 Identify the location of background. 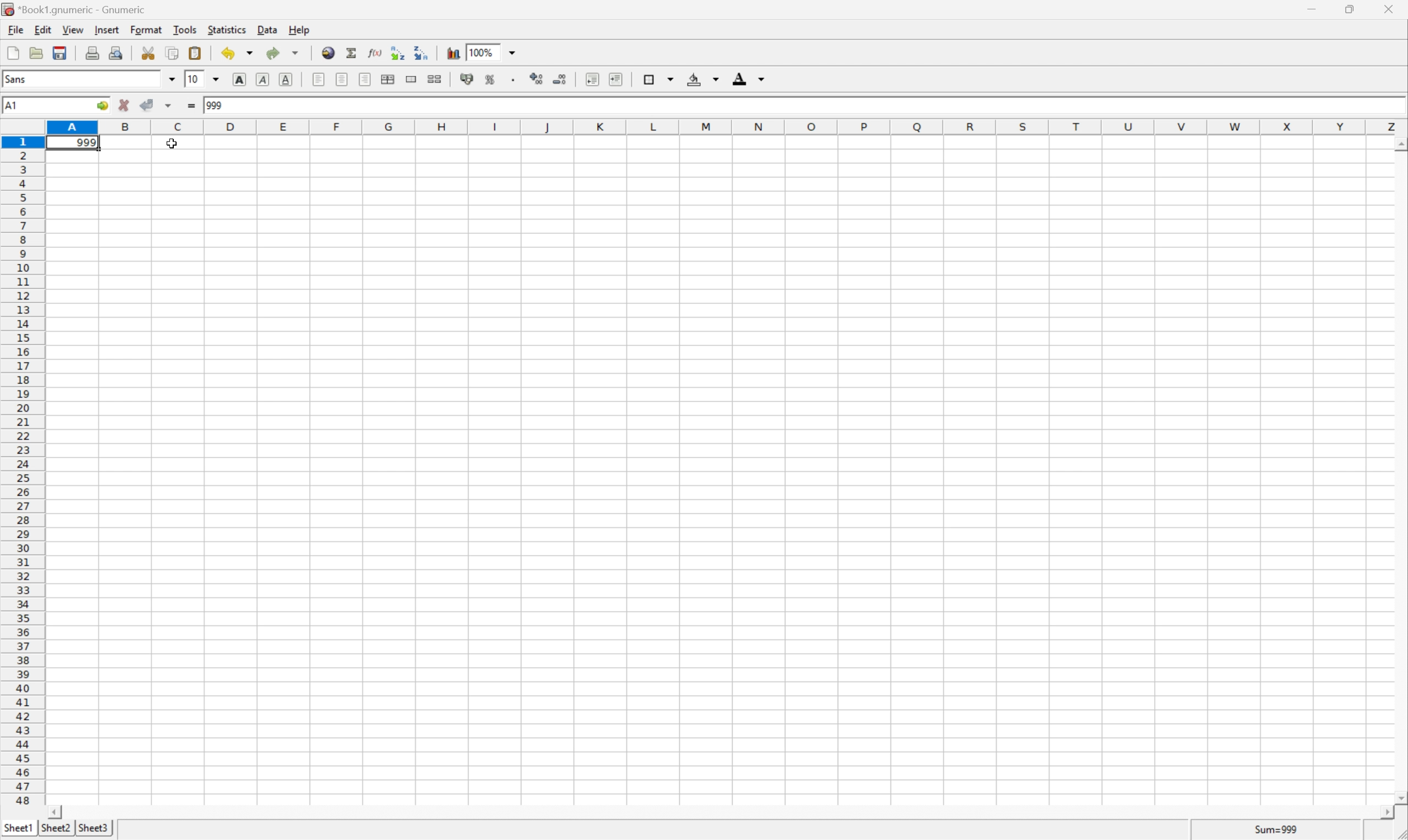
(704, 80).